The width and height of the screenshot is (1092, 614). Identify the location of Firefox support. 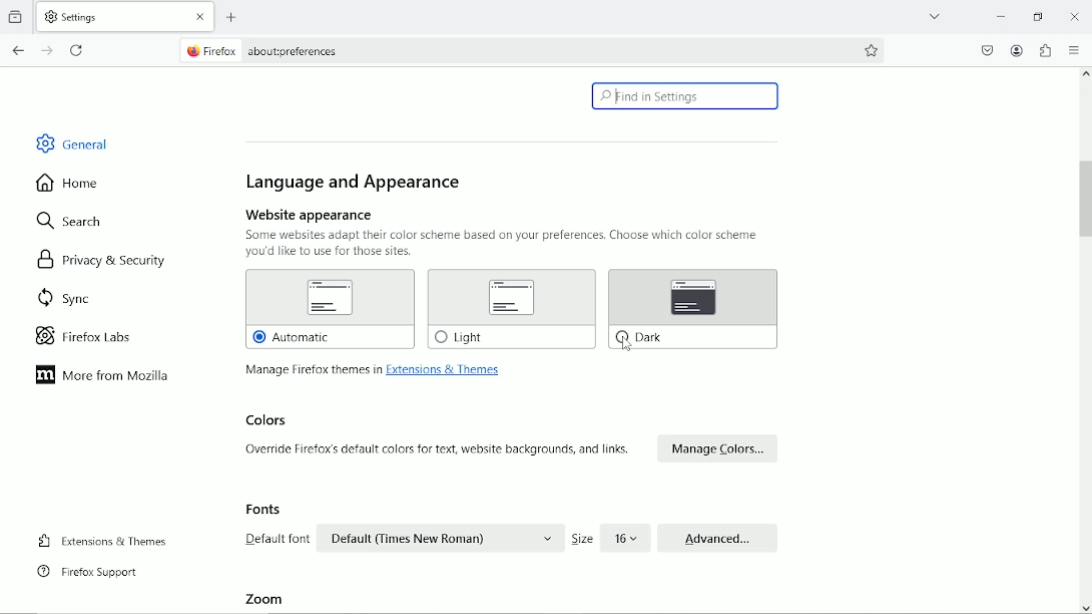
(93, 573).